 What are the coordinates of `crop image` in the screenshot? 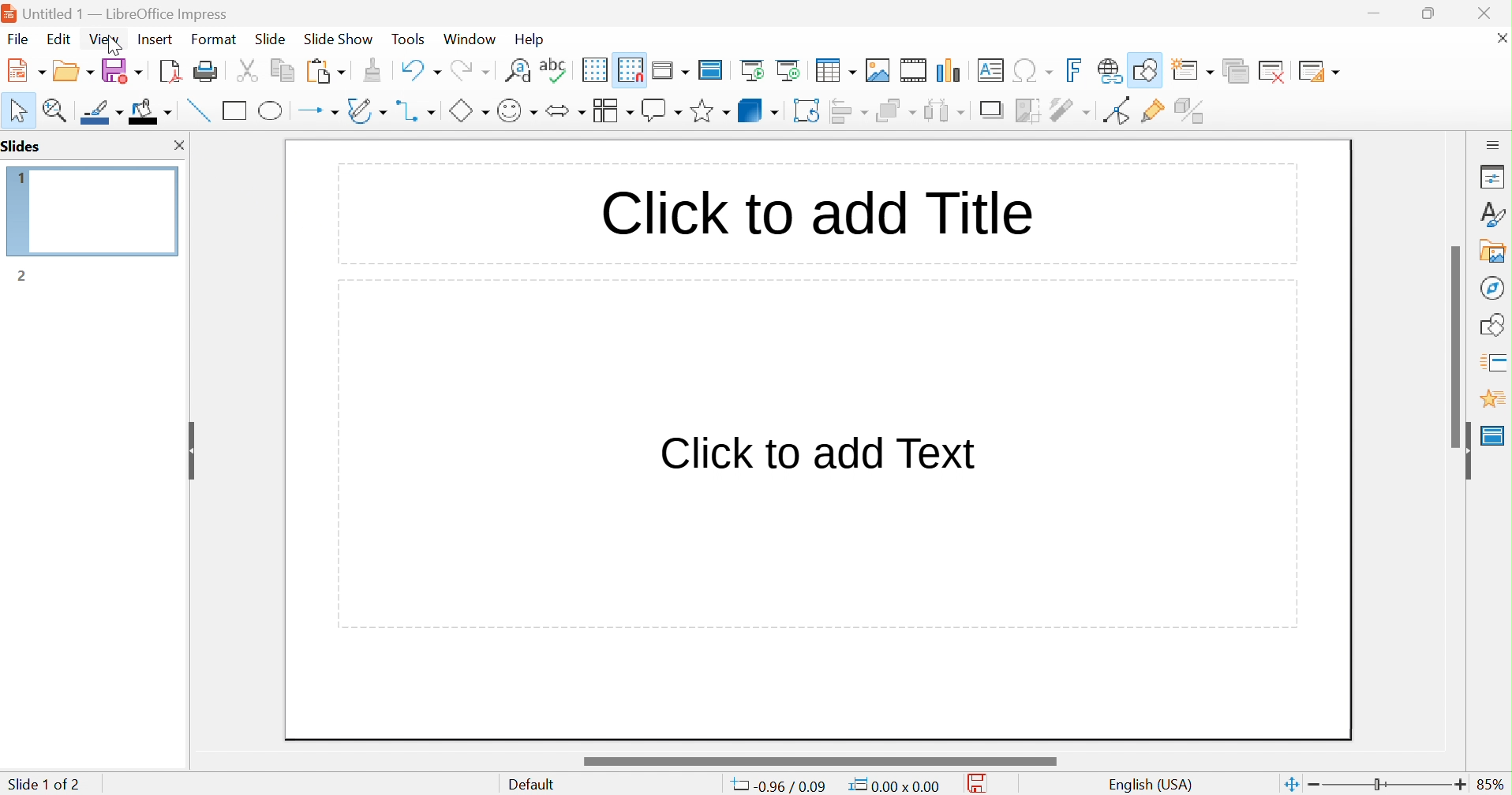 It's located at (1029, 110).